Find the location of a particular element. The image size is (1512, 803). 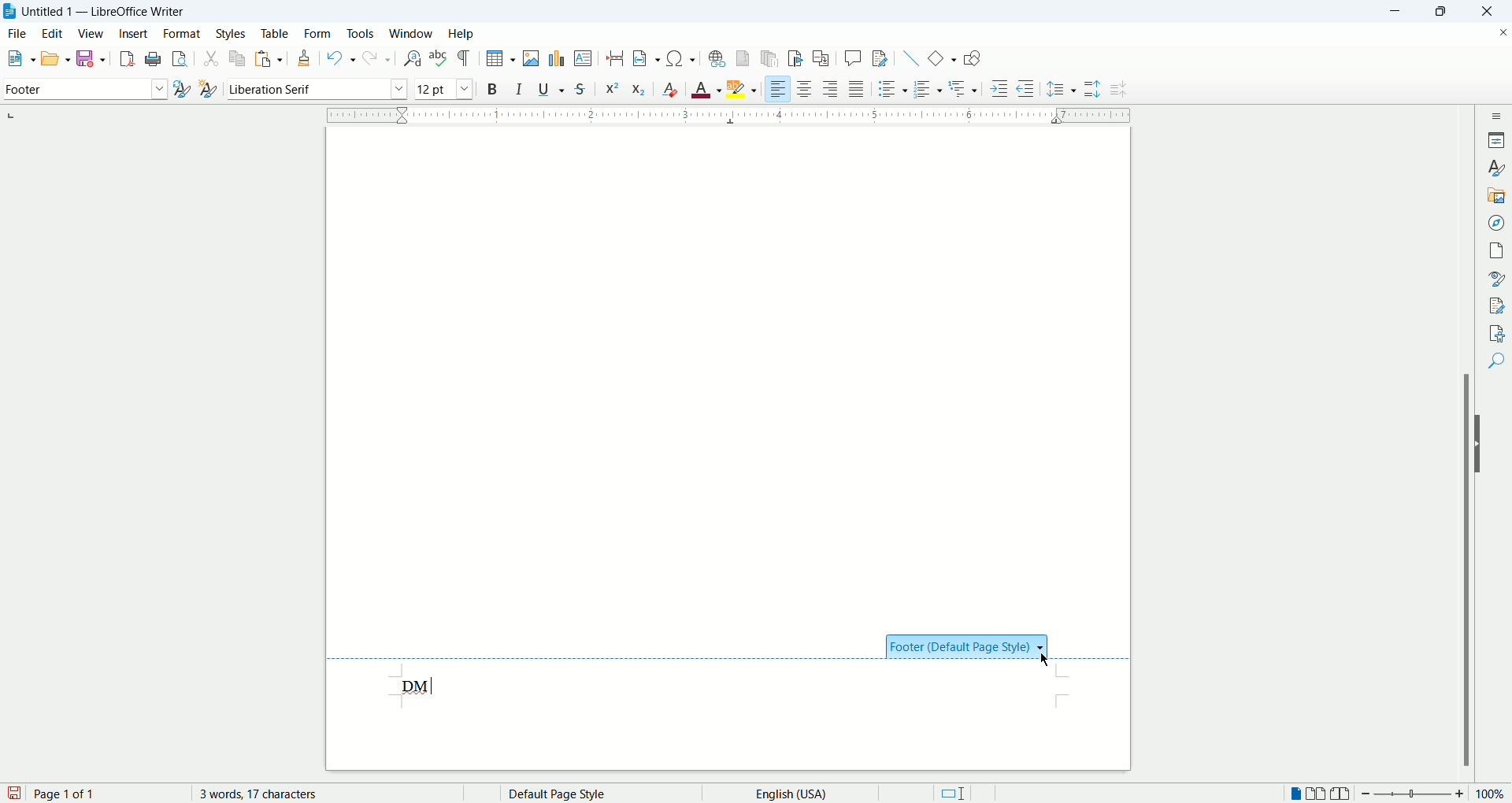

find and replace is located at coordinates (411, 58).